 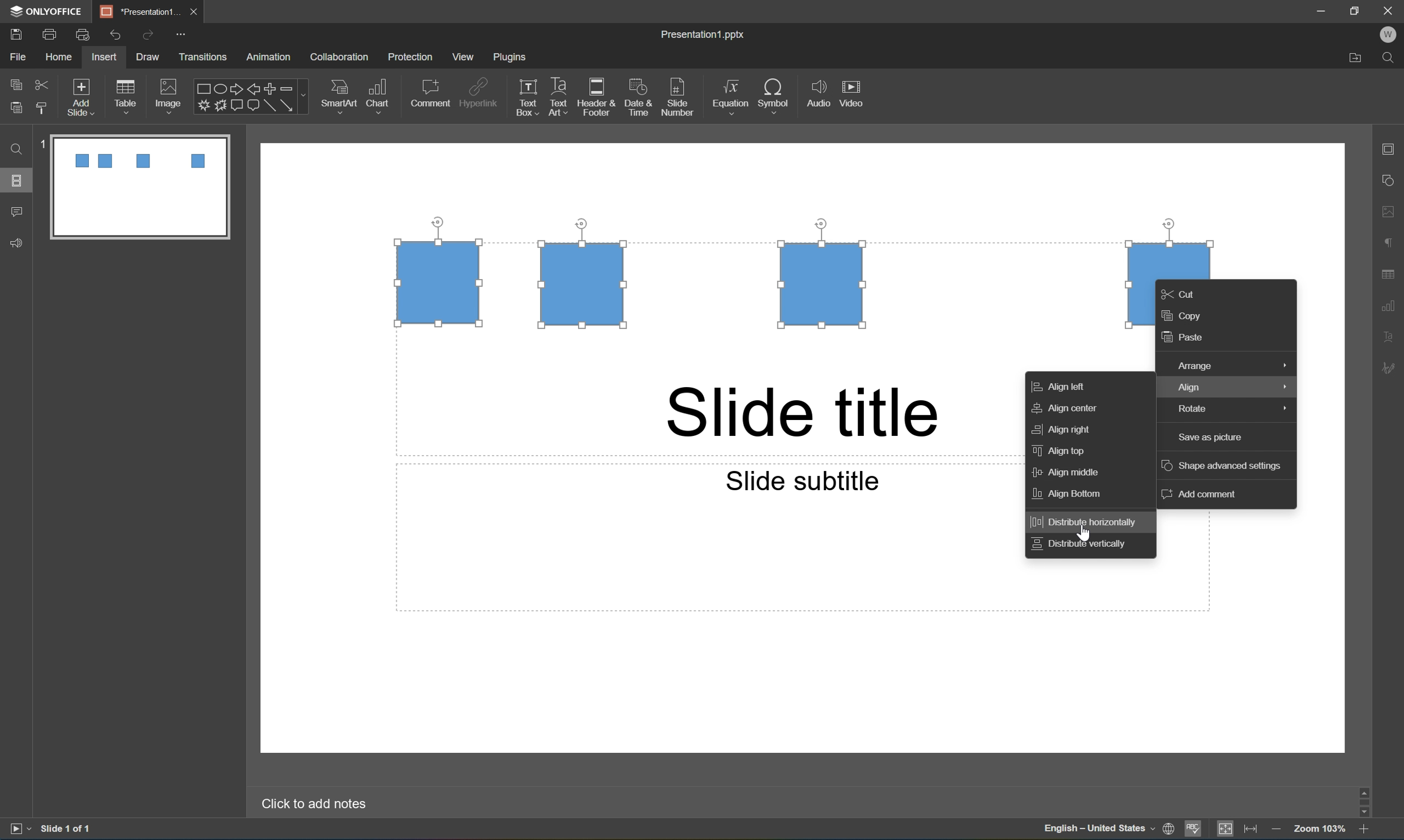 What do you see at coordinates (1353, 59) in the screenshot?
I see `Open file location` at bounding box center [1353, 59].